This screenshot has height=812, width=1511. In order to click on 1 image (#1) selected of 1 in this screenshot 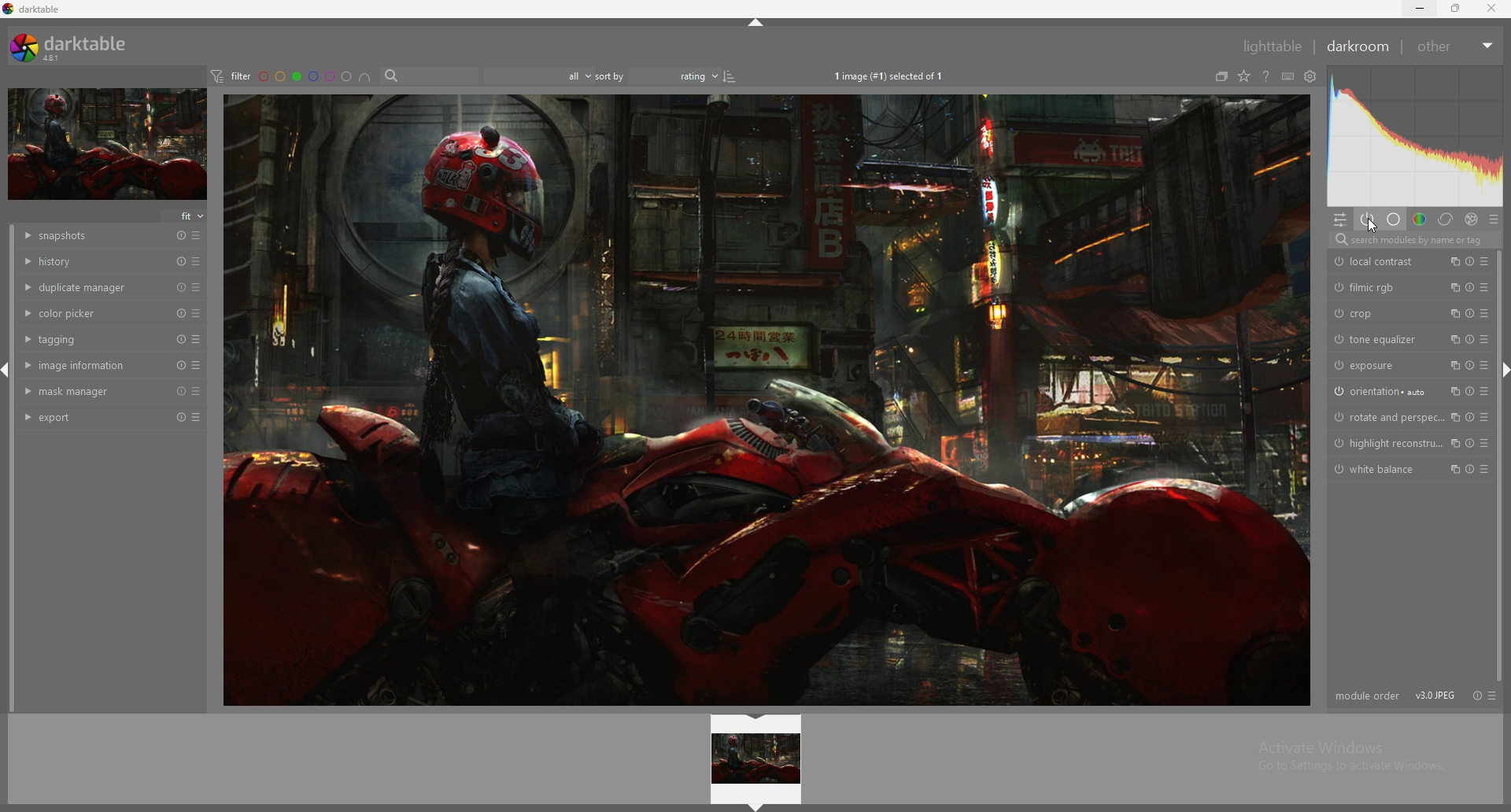, I will do `click(895, 77)`.